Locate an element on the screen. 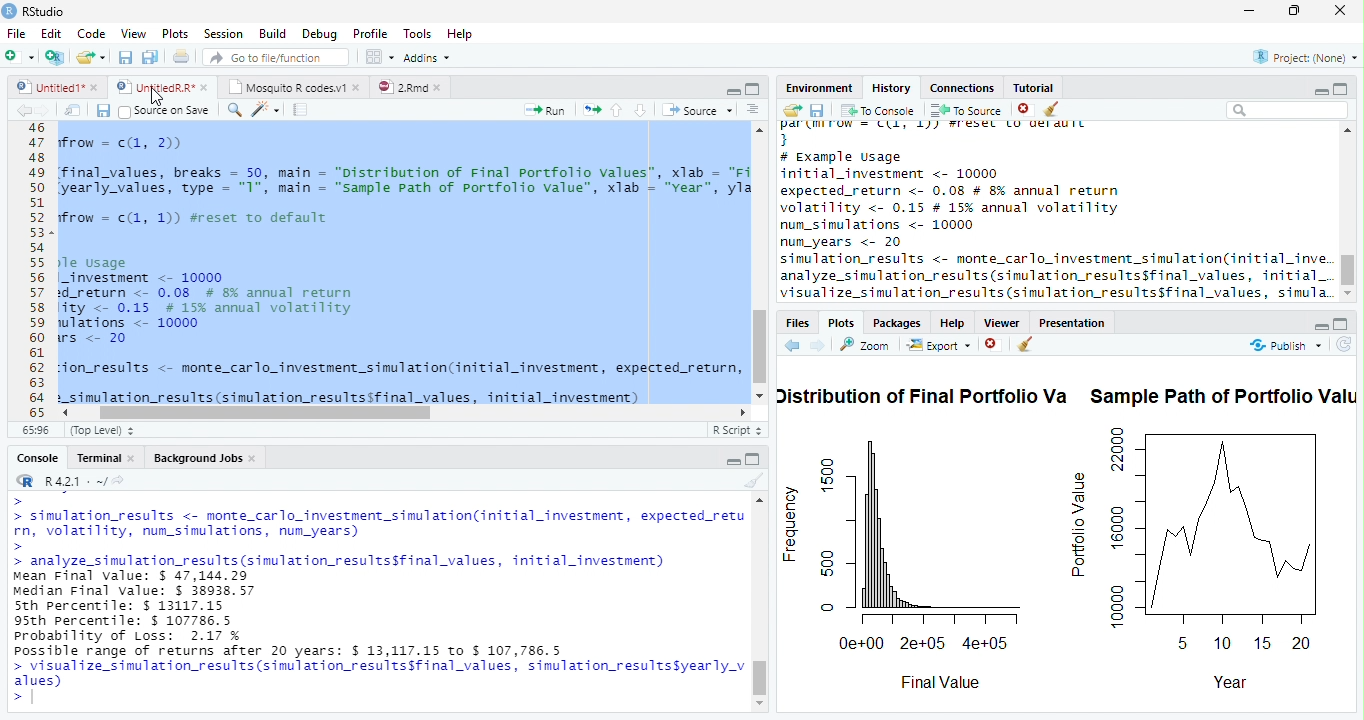 This screenshot has height=720, width=1364. Project: (None) is located at coordinates (1301, 58).